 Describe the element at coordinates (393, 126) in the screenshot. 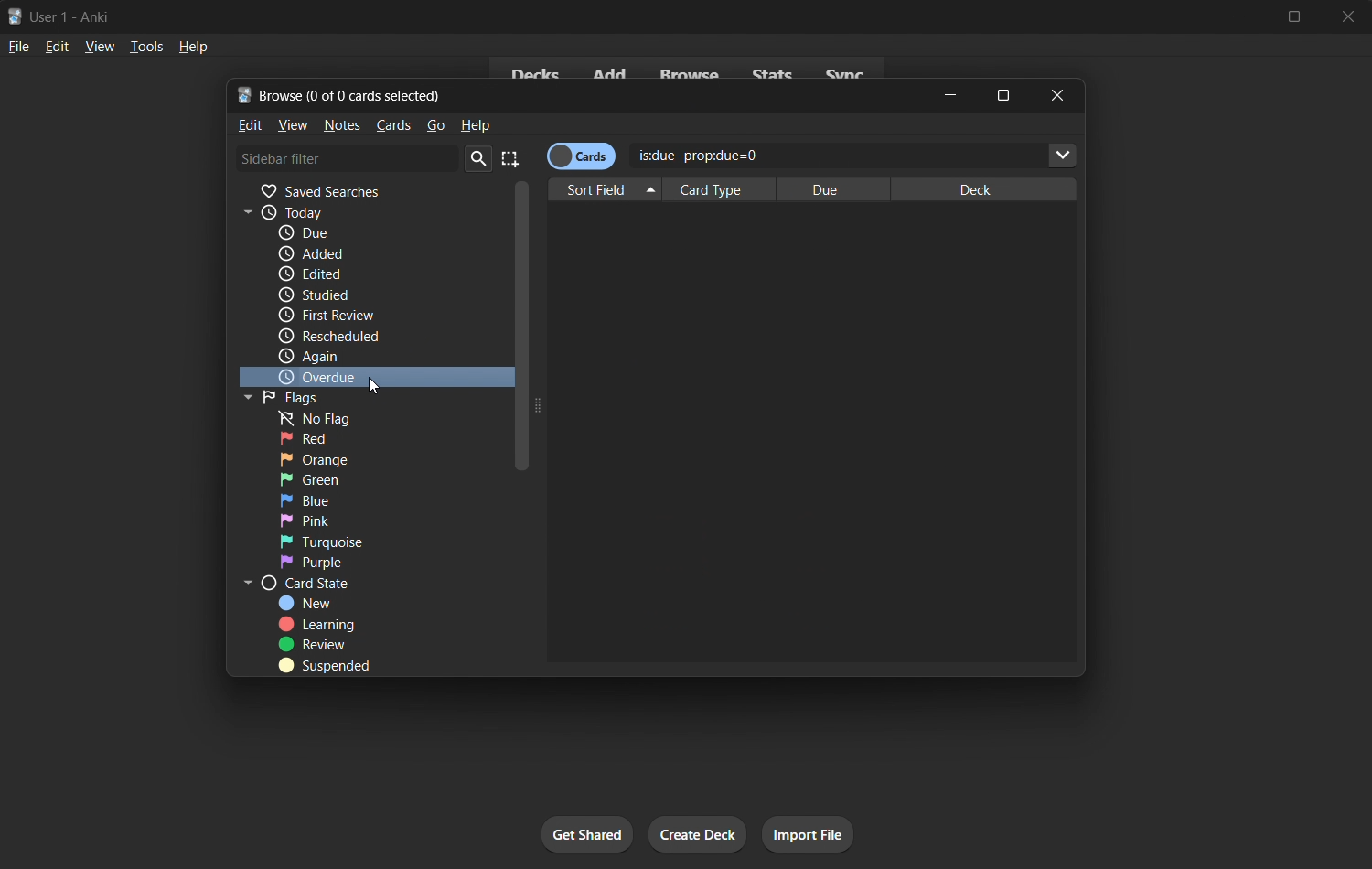

I see `cards` at that location.